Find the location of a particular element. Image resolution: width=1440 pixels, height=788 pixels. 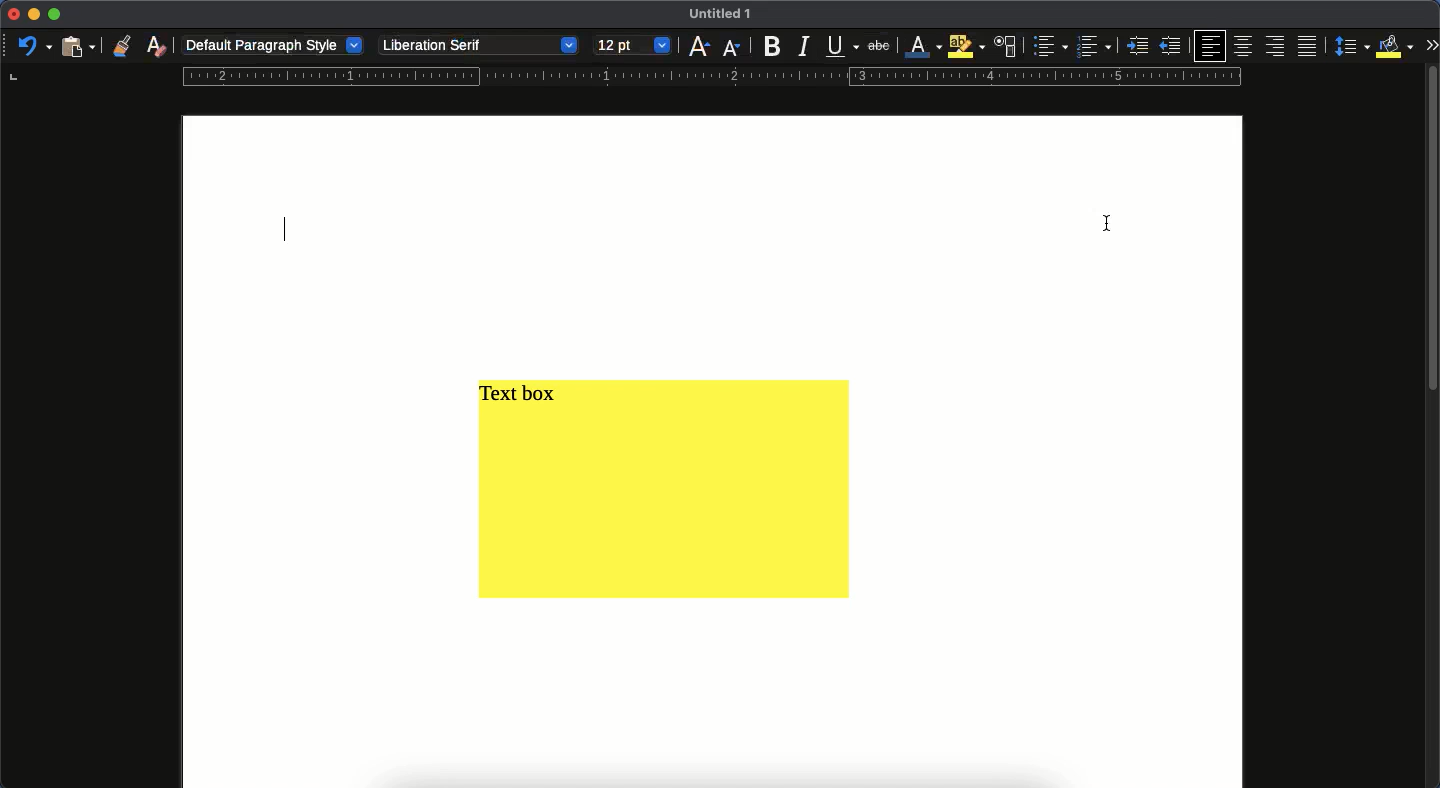

yellow text box is located at coordinates (663, 493).